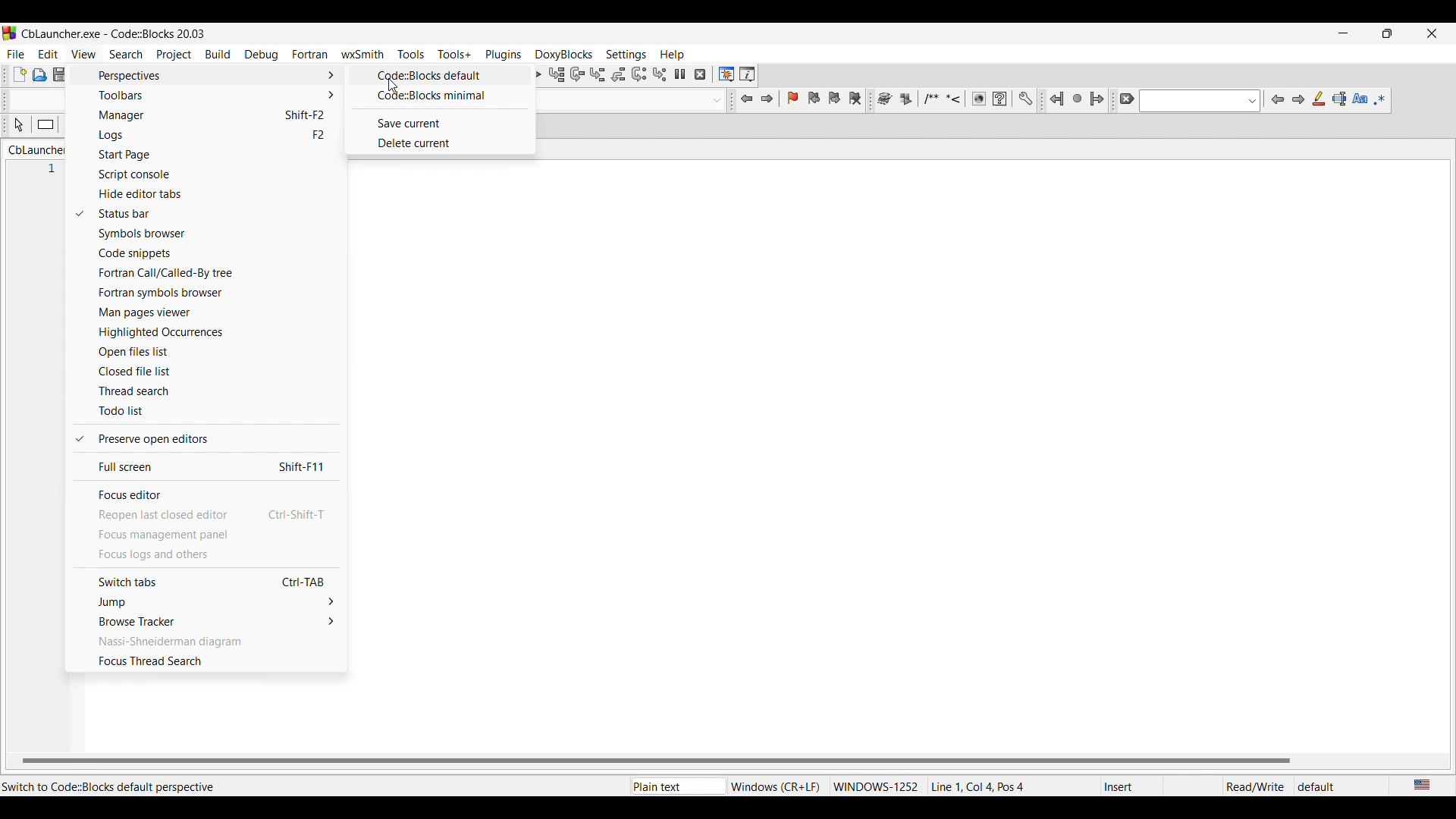 The width and height of the screenshot is (1456, 819). What do you see at coordinates (211, 495) in the screenshot?
I see `Focus editor` at bounding box center [211, 495].